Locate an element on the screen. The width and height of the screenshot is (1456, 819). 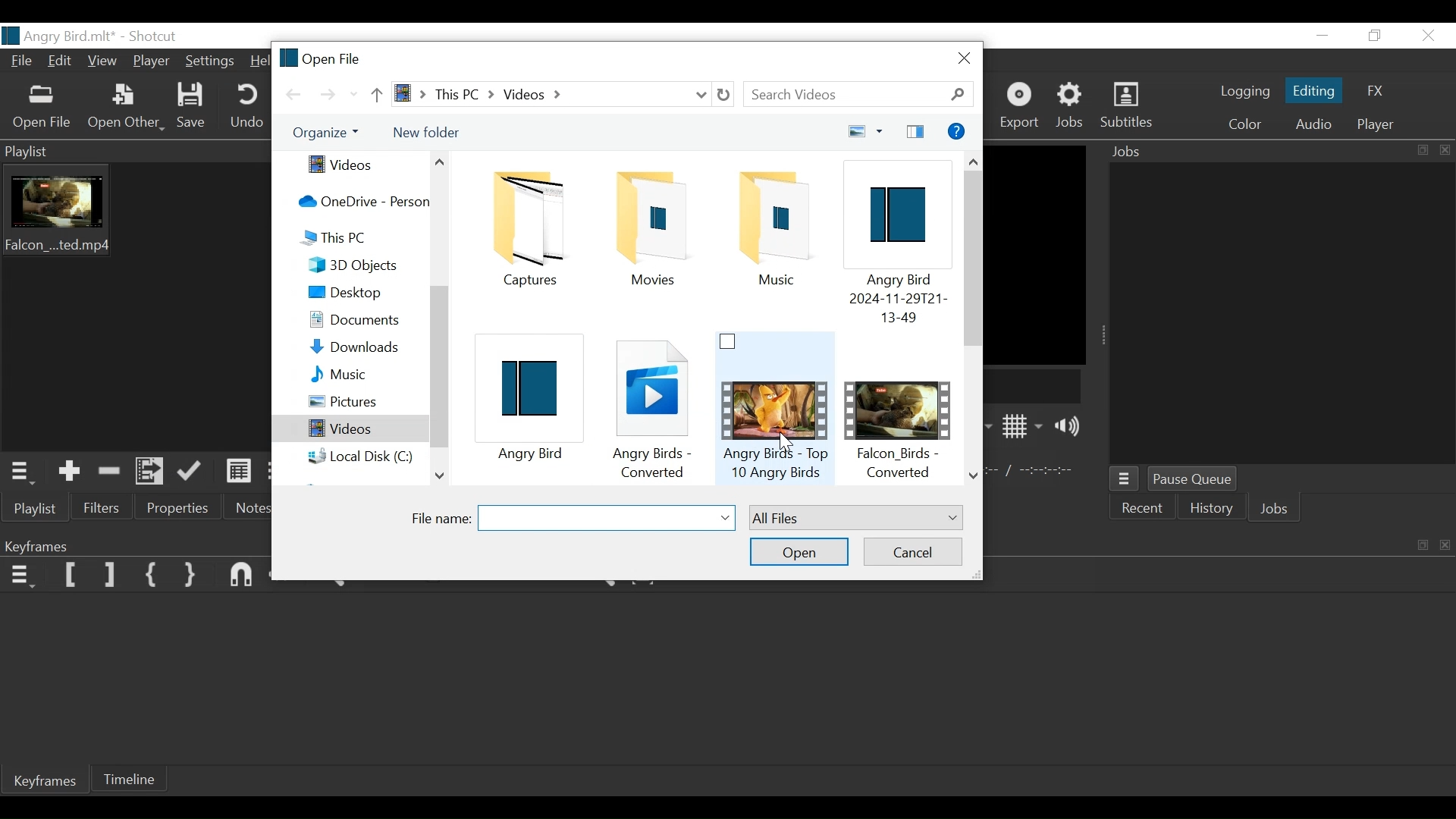
Download is located at coordinates (363, 349).